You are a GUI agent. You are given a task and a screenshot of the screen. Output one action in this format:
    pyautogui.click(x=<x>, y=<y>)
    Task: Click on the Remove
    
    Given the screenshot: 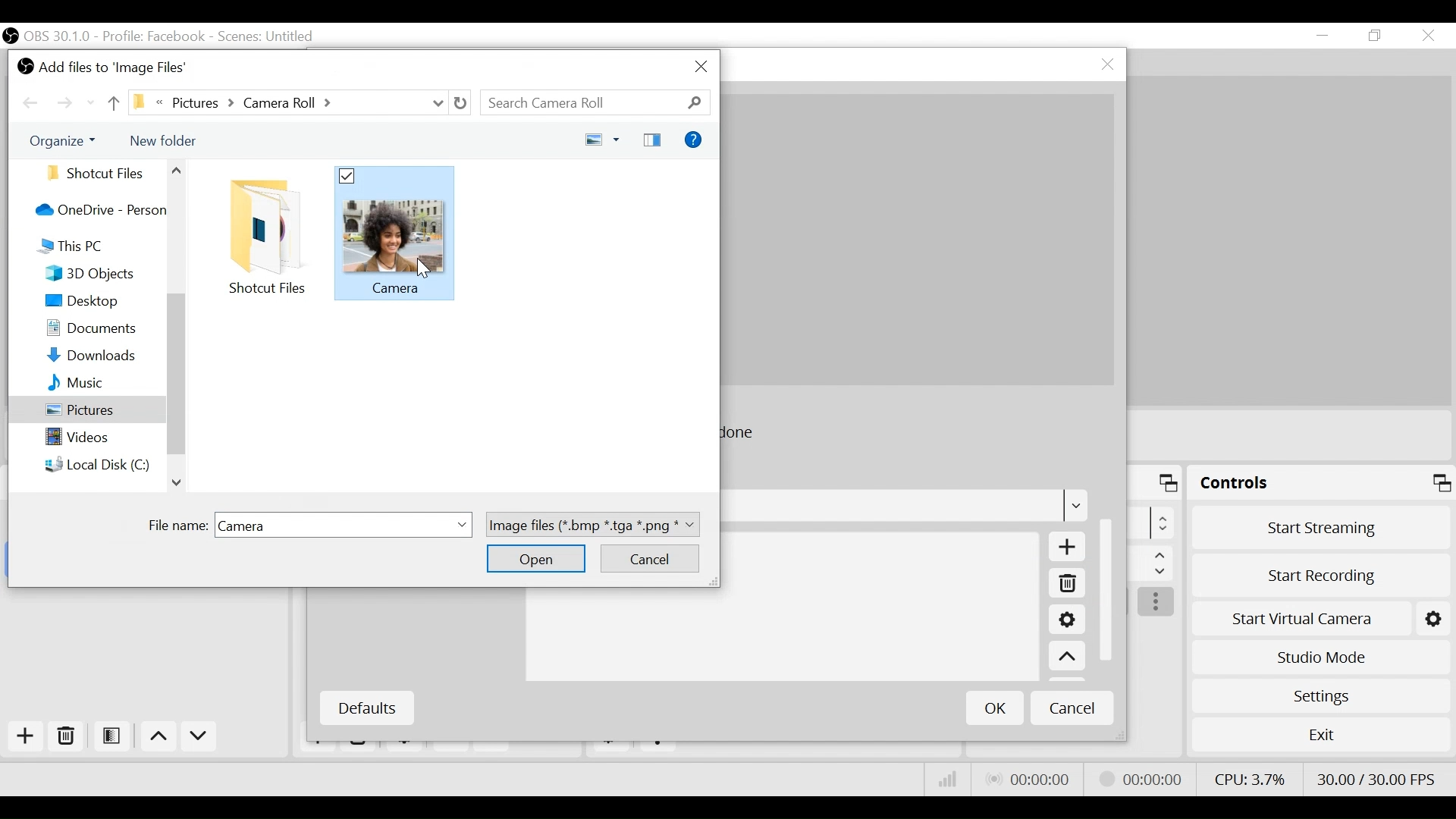 What is the action you would take?
    pyautogui.click(x=67, y=737)
    